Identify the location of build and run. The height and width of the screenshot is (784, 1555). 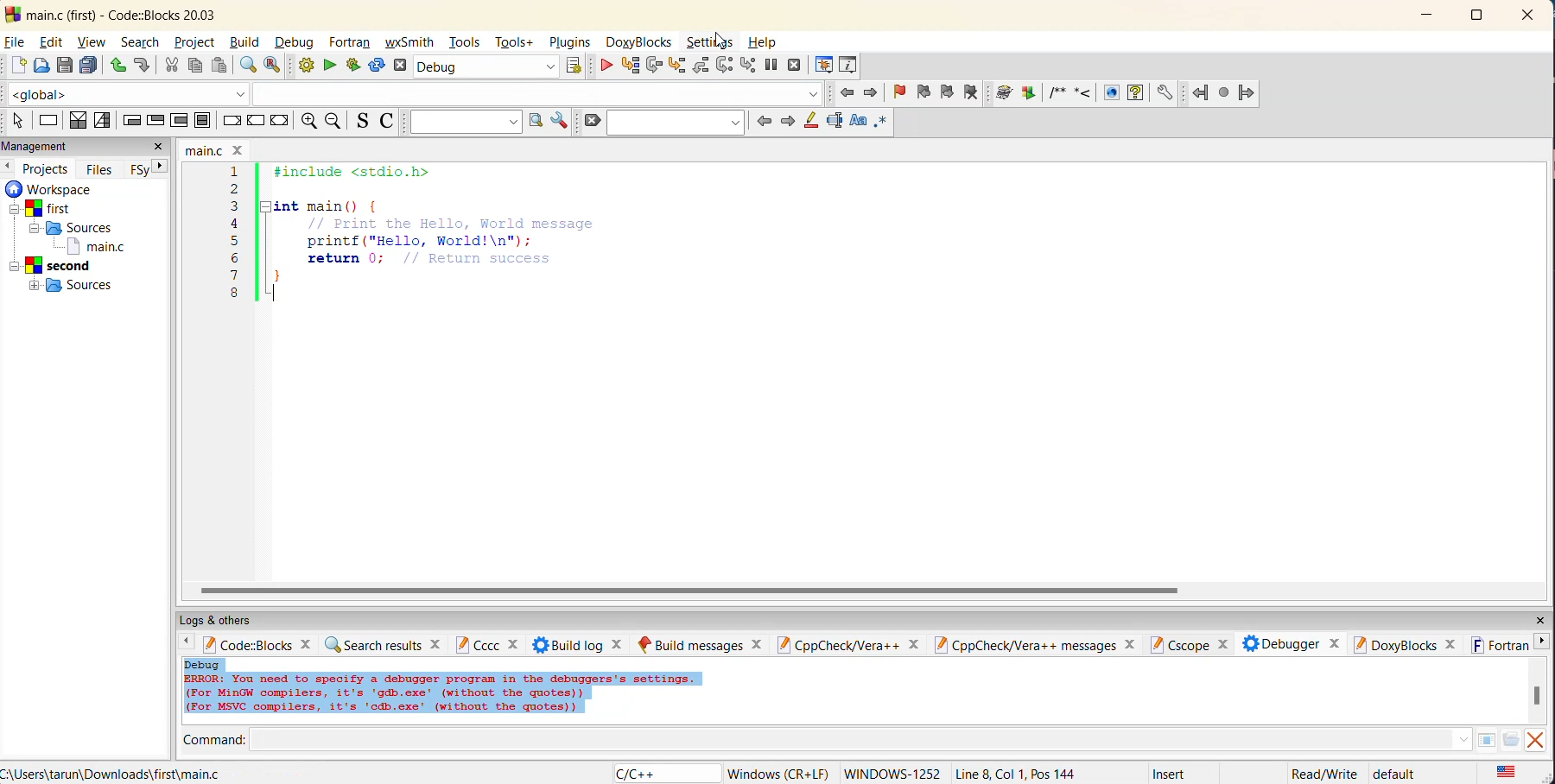
(354, 65).